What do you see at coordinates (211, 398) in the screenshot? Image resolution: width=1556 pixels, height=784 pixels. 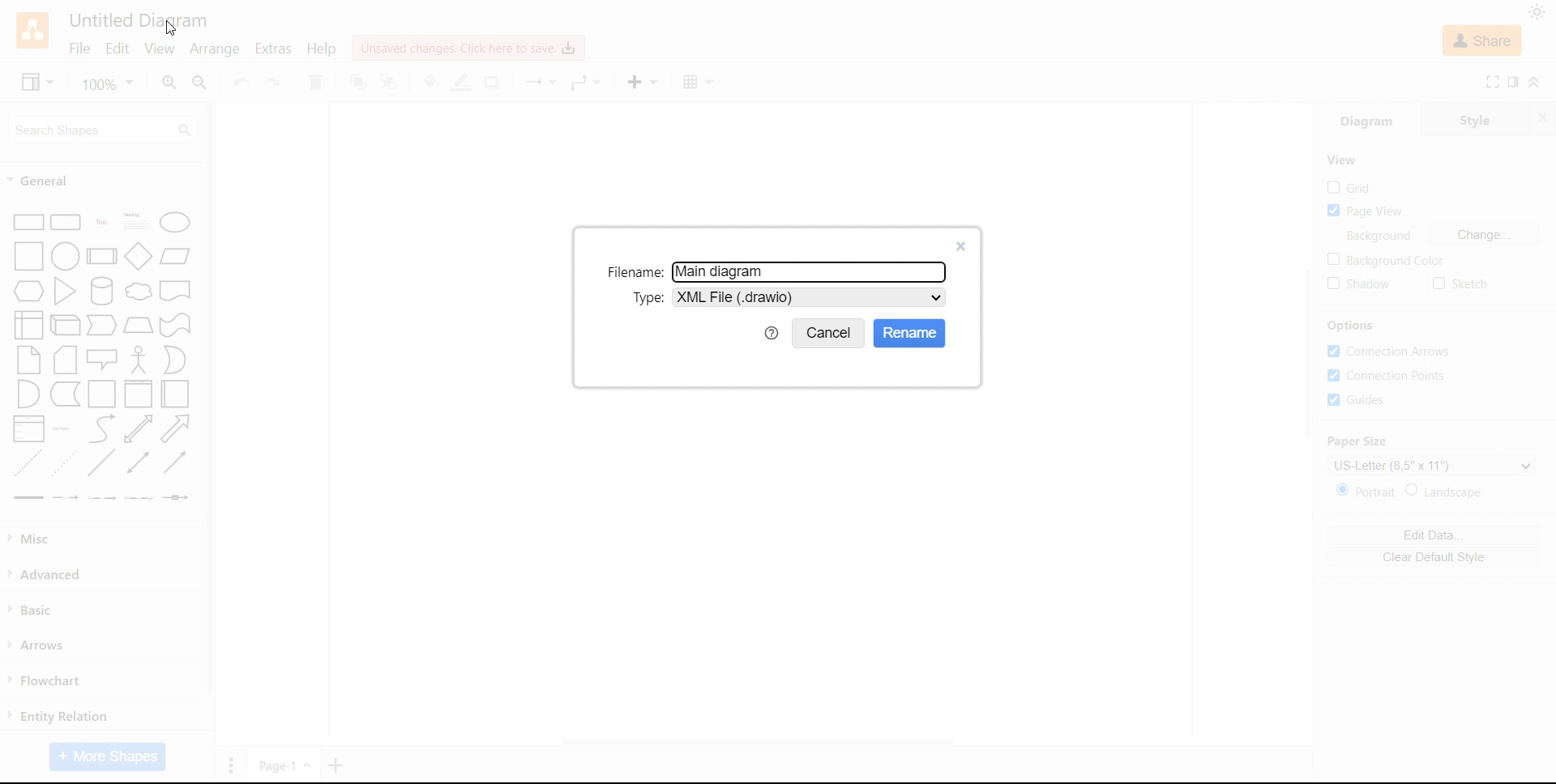 I see `Scroll bar ` at bounding box center [211, 398].